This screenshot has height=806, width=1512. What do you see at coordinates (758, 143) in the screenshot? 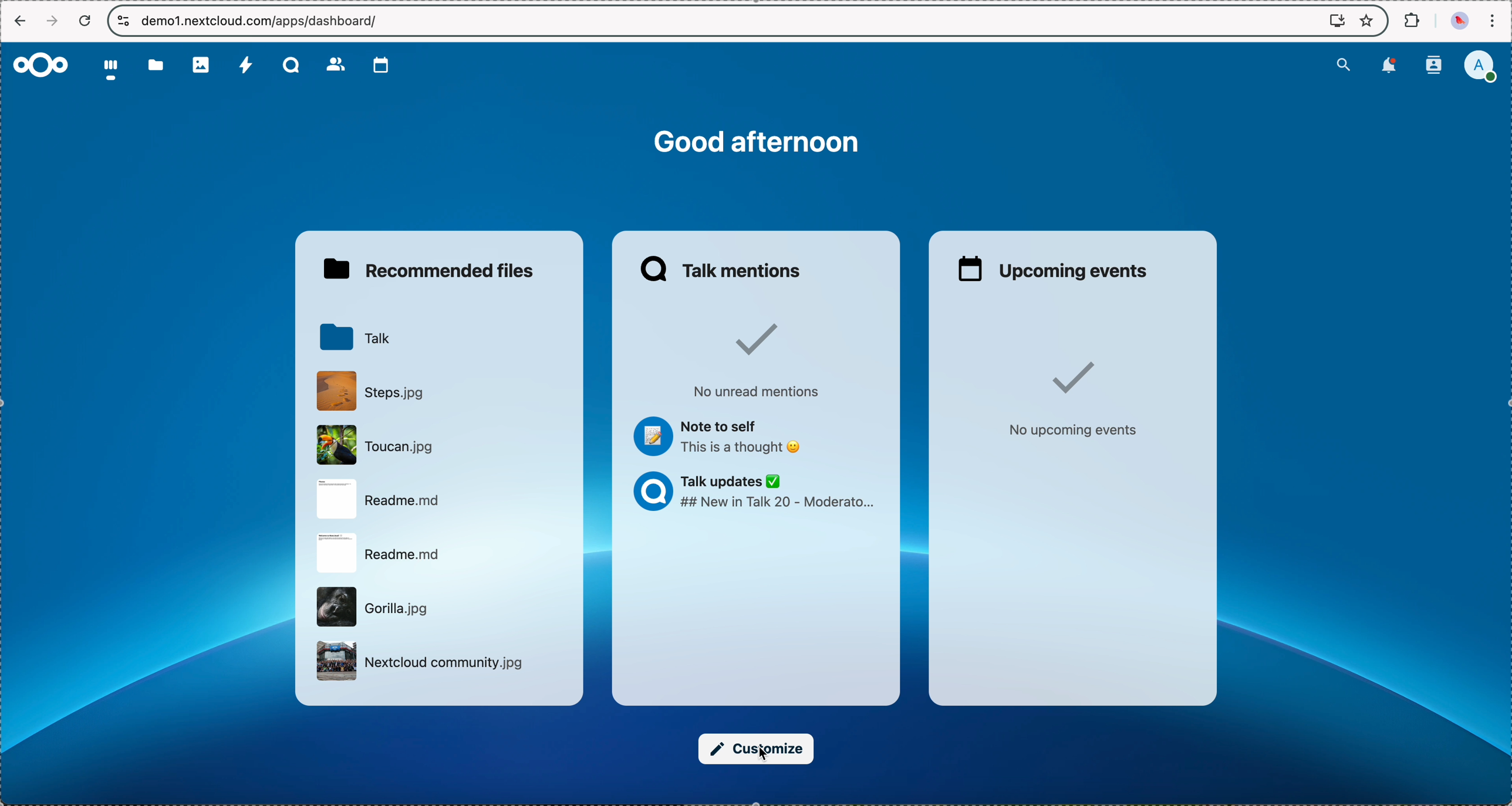
I see `good afternoon` at bounding box center [758, 143].